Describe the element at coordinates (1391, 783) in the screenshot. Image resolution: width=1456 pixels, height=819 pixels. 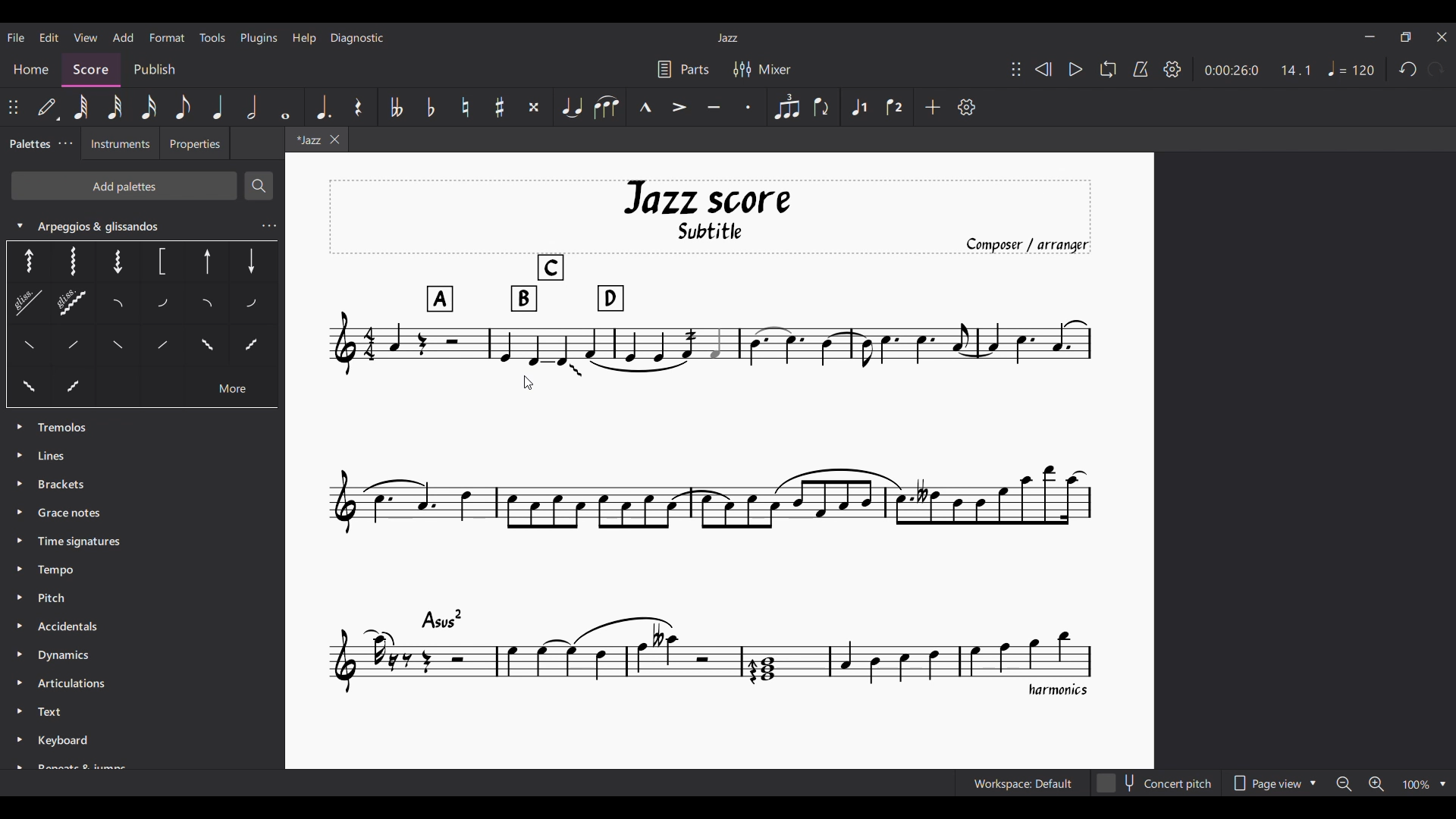
I see `Zoom options` at that location.